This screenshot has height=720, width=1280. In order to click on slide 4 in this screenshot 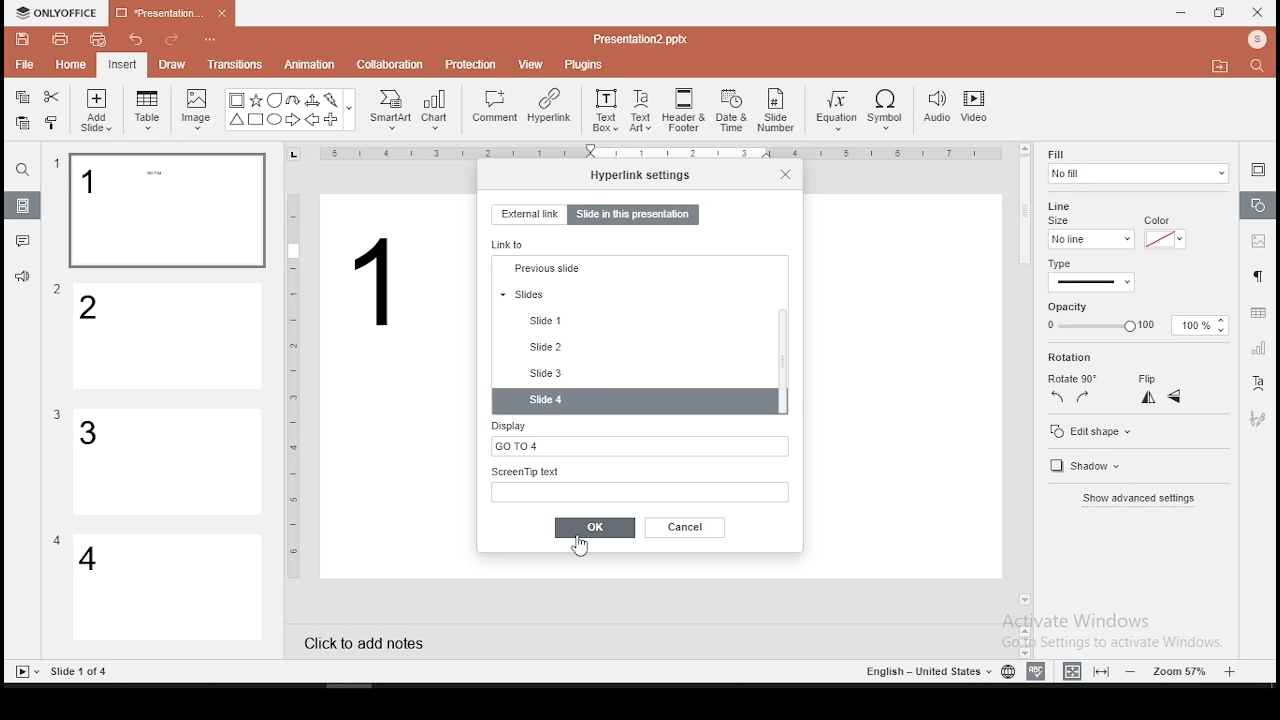, I will do `click(636, 402)`.